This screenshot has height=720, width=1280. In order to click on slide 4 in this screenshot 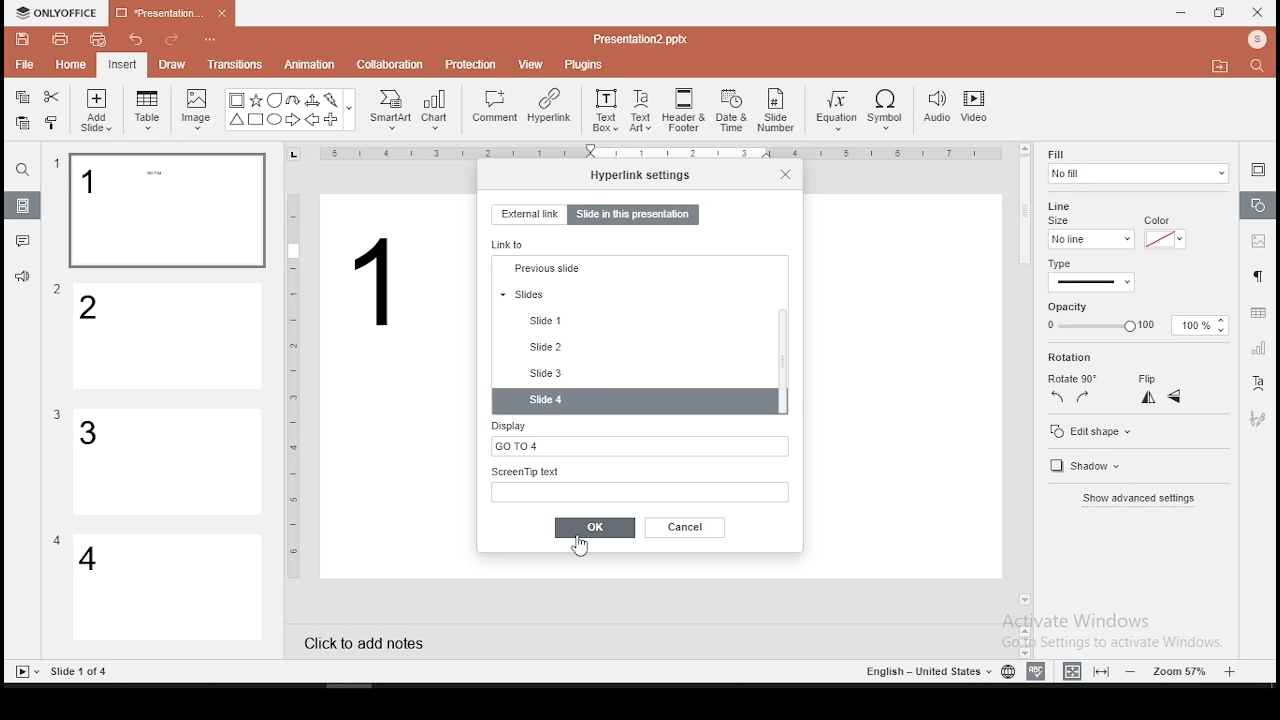, I will do `click(636, 402)`.